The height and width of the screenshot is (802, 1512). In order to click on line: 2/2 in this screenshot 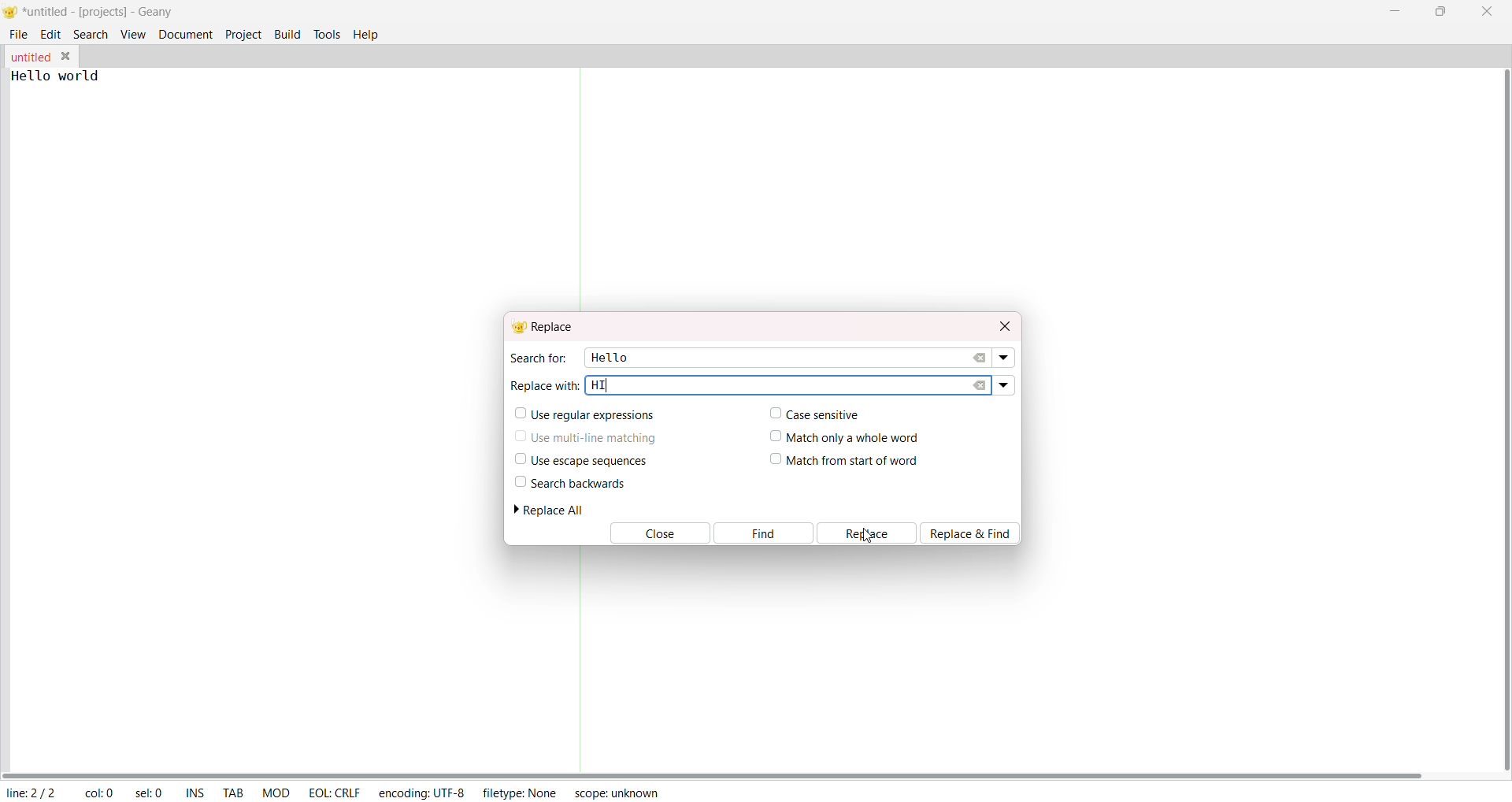, I will do `click(30, 793)`.